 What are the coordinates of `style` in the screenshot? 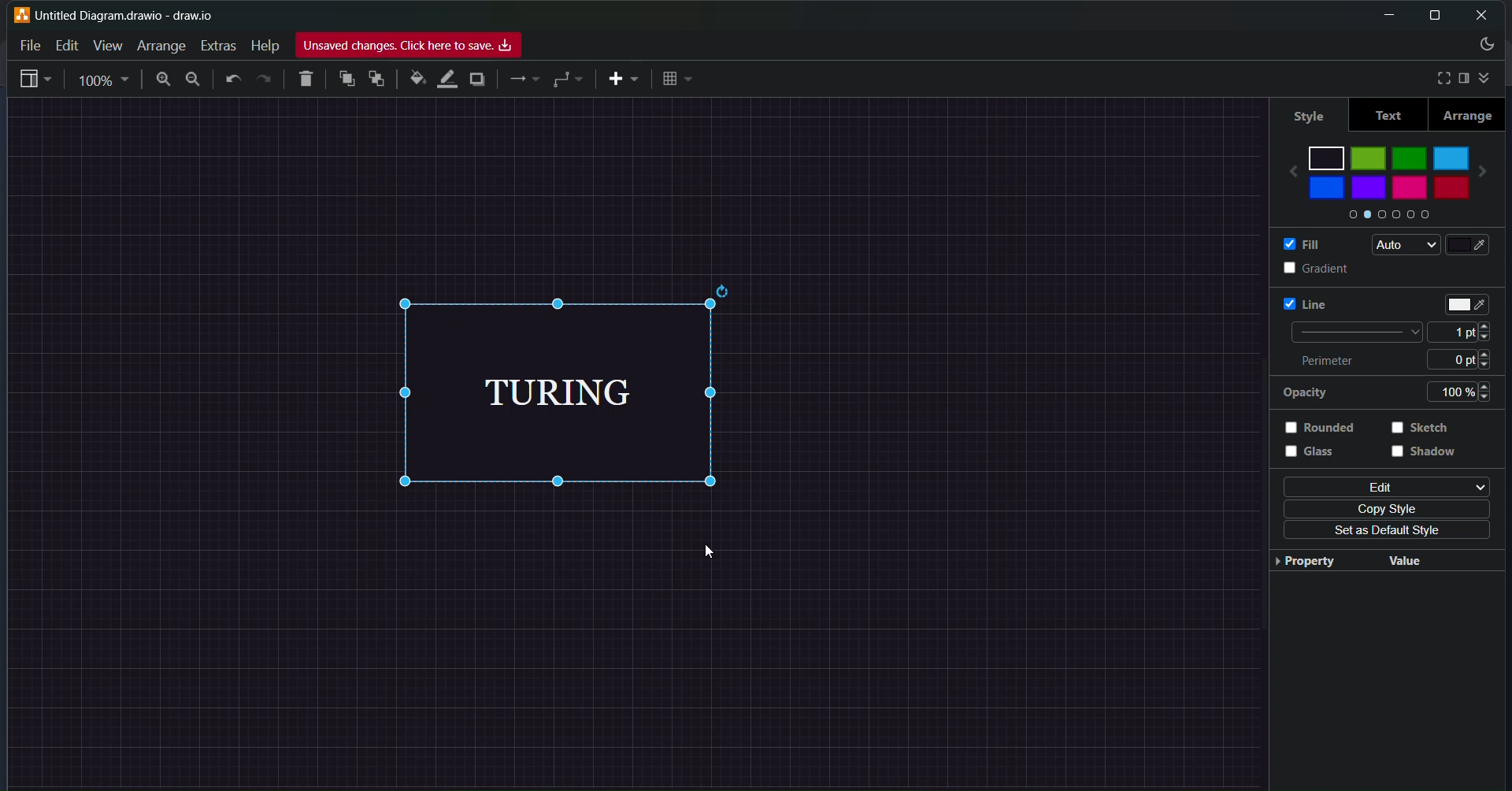 It's located at (1305, 113).